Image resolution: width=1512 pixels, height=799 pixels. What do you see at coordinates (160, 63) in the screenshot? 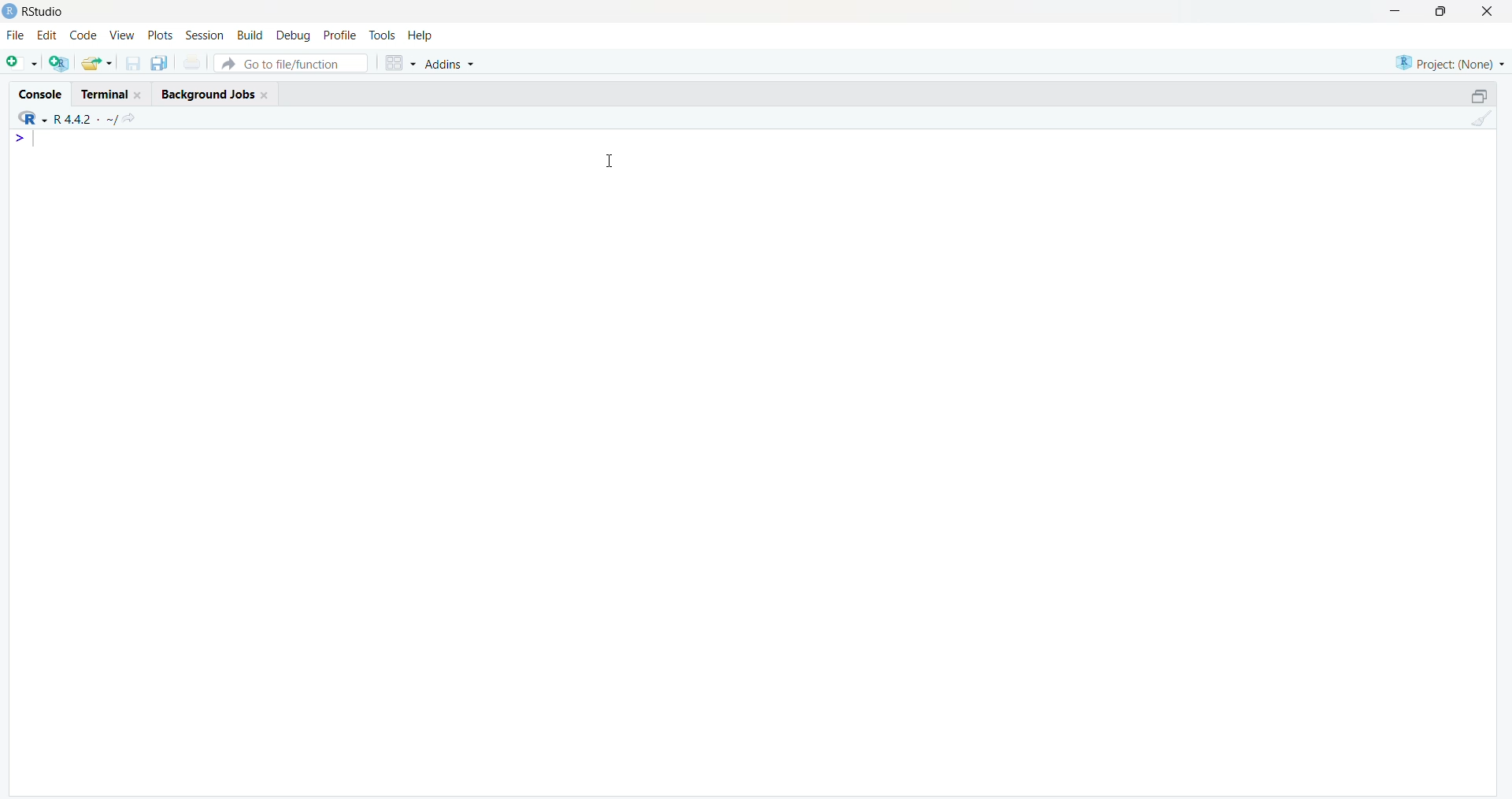
I see `copy` at bounding box center [160, 63].